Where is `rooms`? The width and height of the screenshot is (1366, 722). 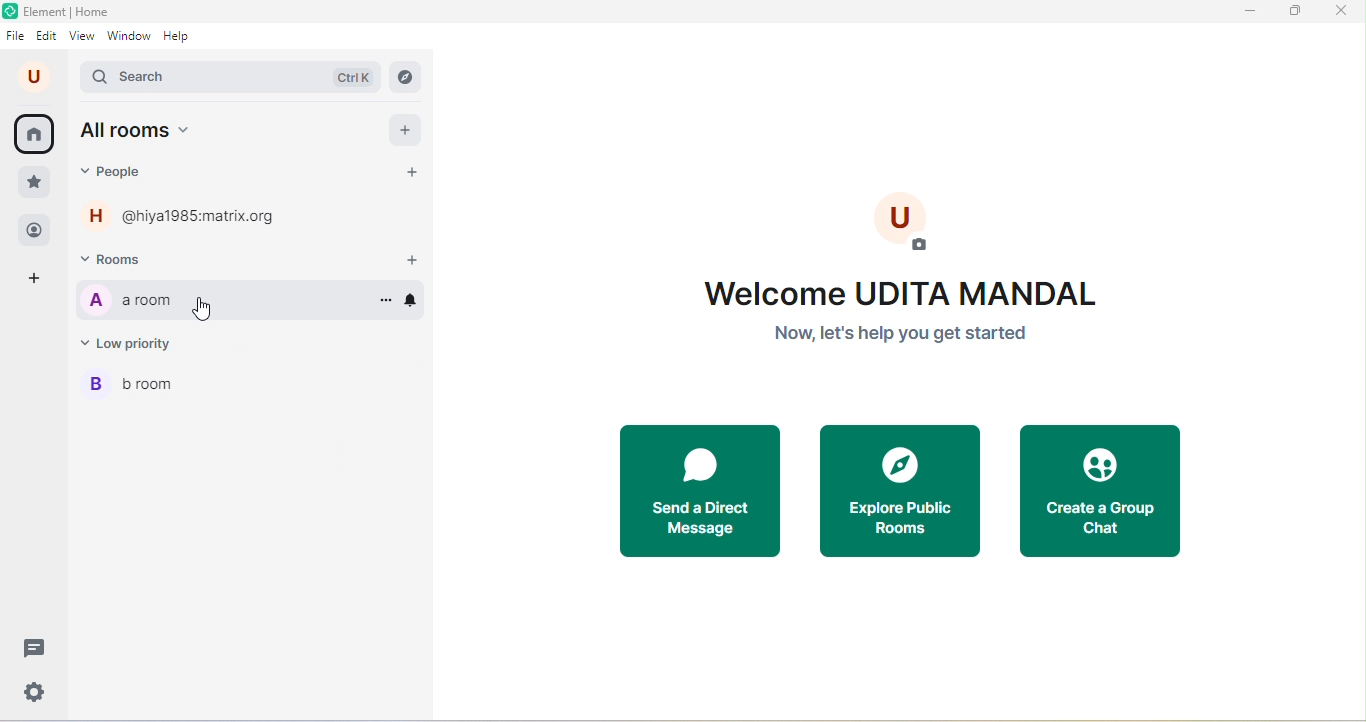 rooms is located at coordinates (124, 259).